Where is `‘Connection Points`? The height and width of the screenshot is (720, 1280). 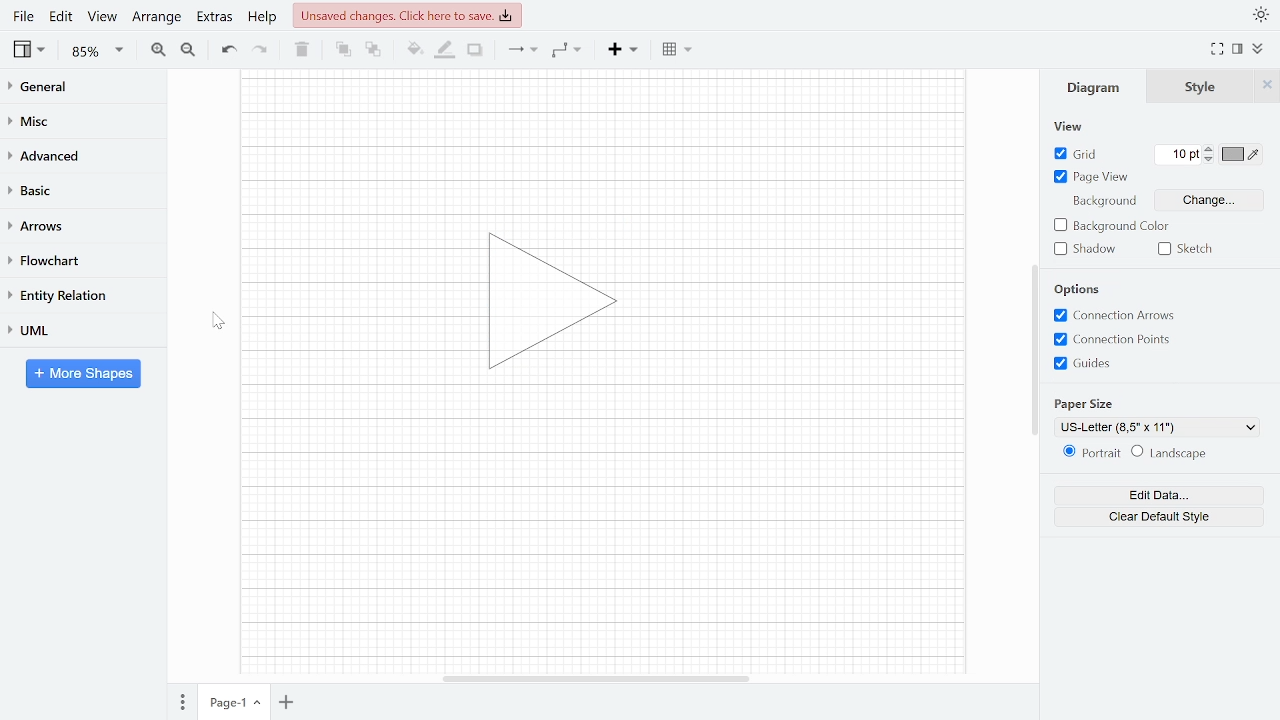
‘Connection Points is located at coordinates (1109, 340).